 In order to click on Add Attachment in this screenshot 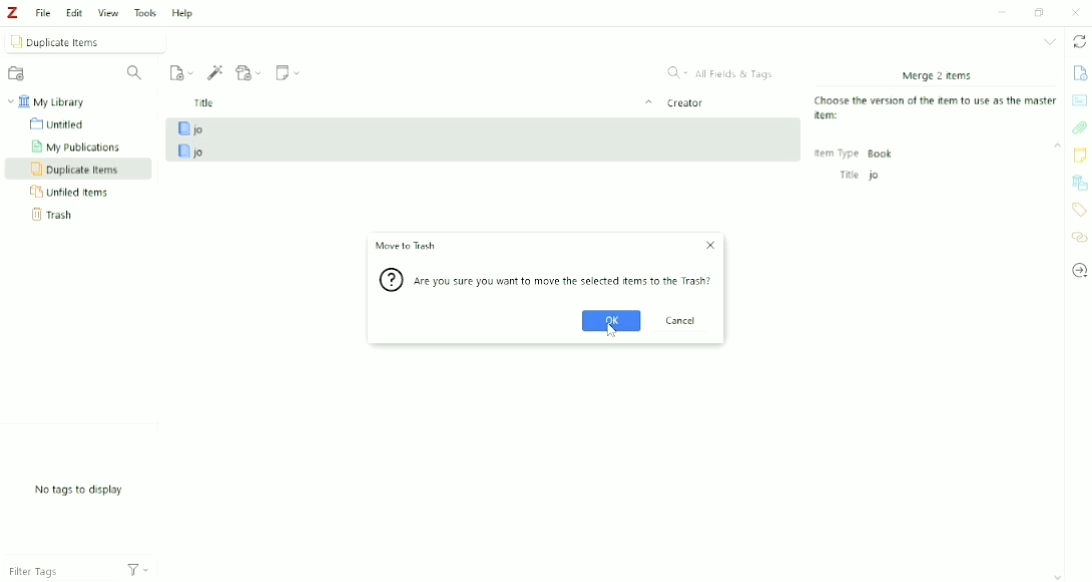, I will do `click(250, 73)`.